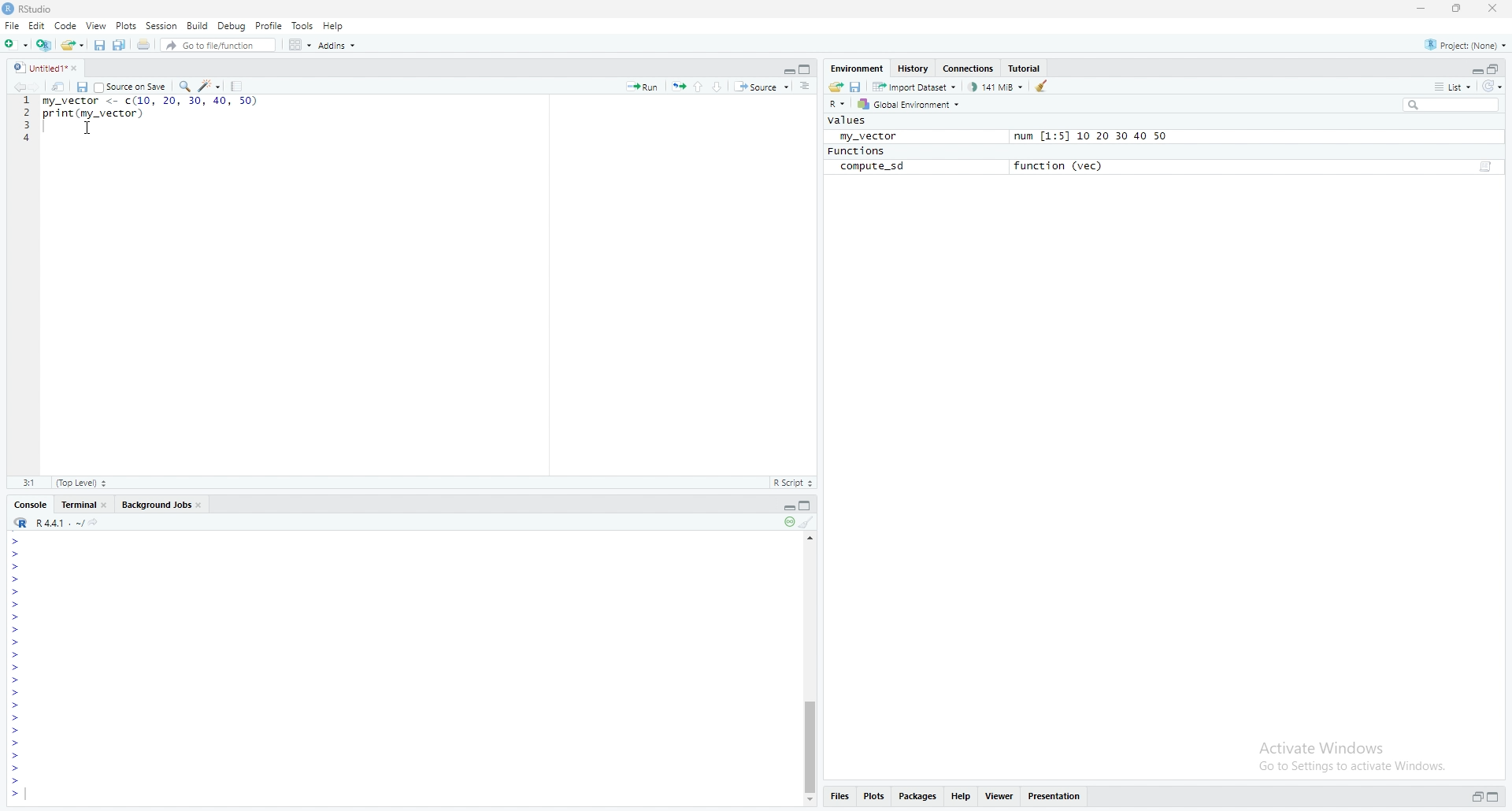 This screenshot has height=811, width=1512. Describe the element at coordinates (1063, 165) in the screenshot. I see `function (vec)` at that location.